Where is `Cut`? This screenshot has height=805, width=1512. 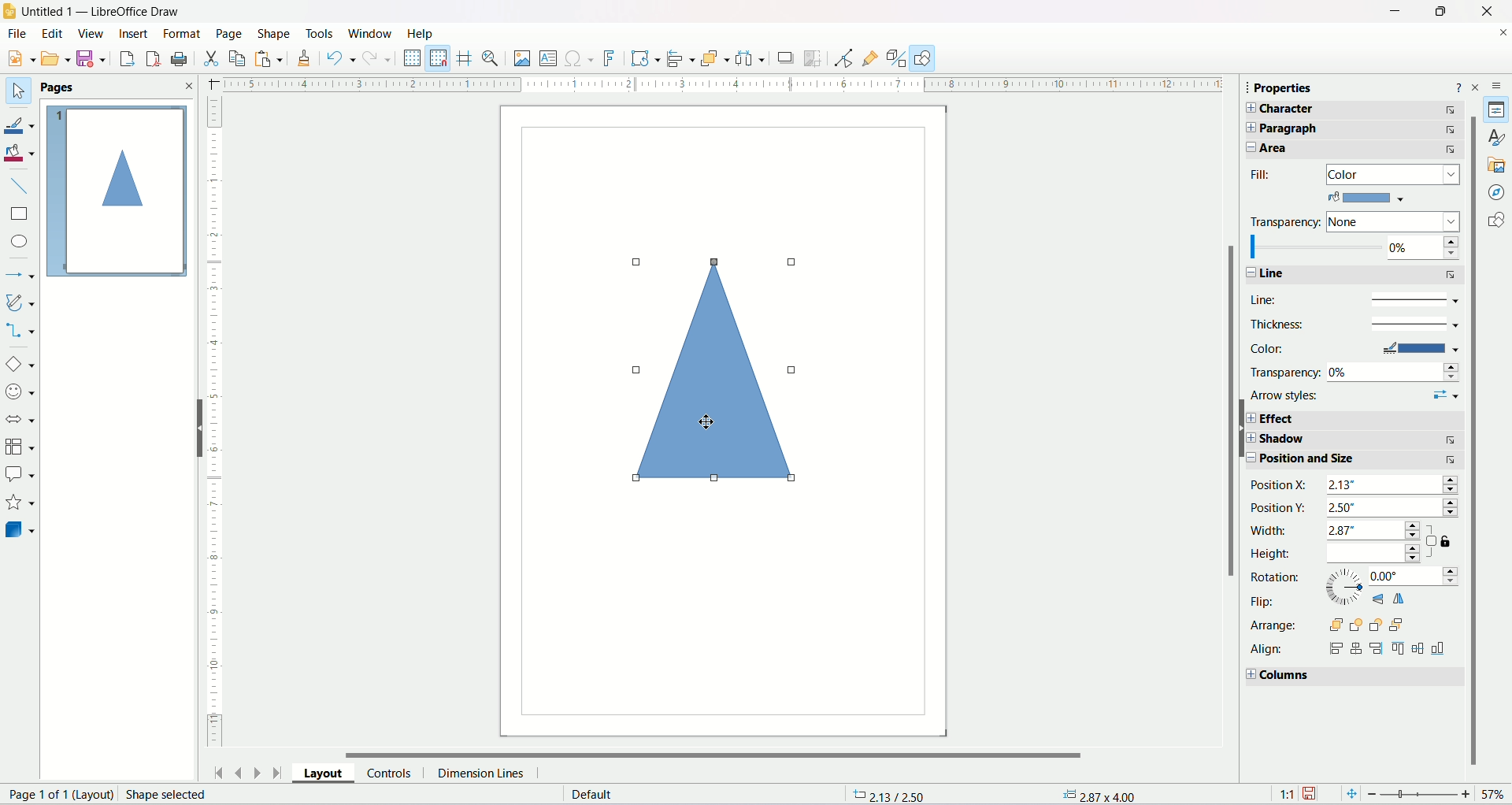
Cut is located at coordinates (211, 58).